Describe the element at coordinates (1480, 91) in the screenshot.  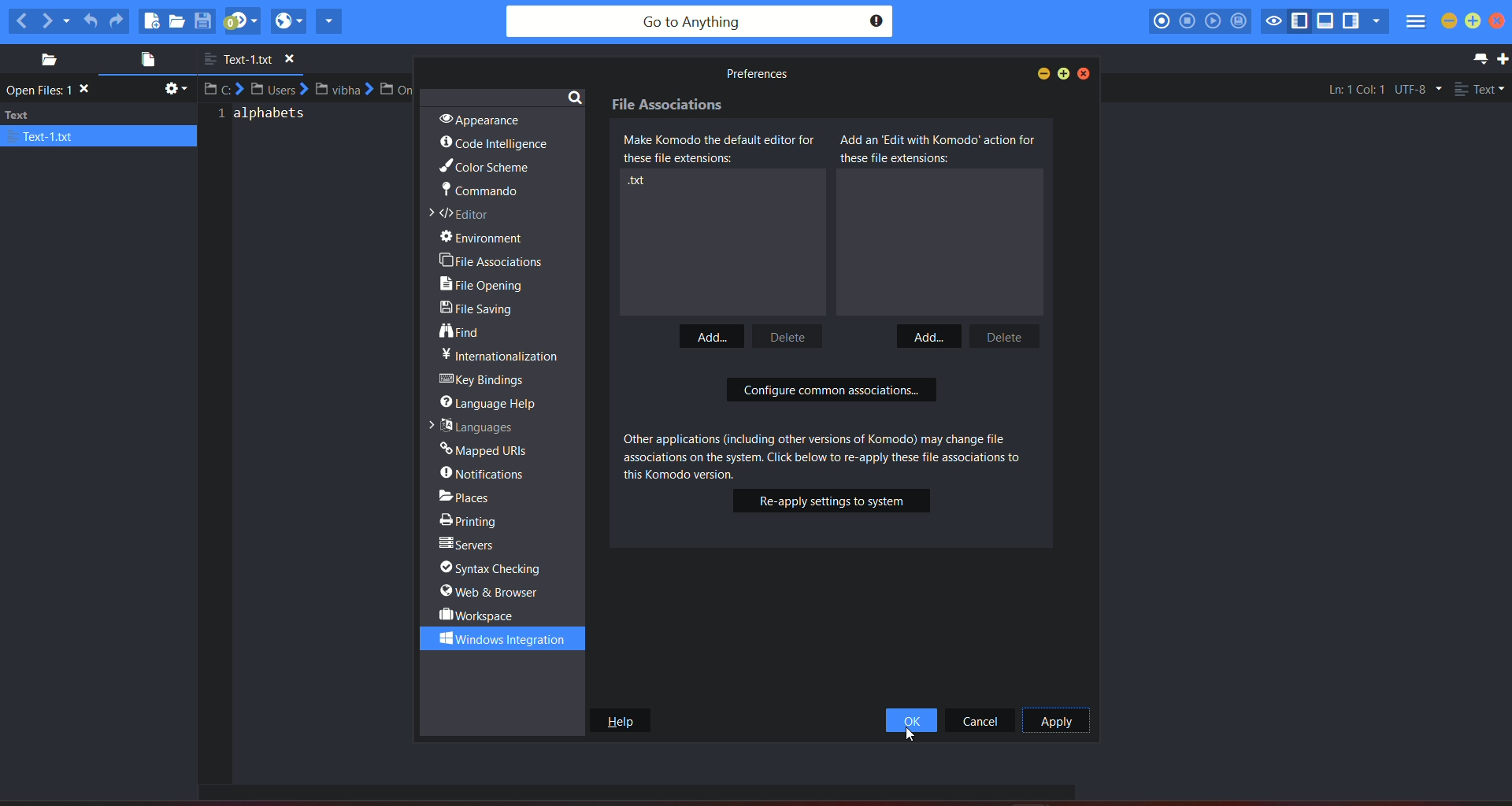
I see `file type` at that location.